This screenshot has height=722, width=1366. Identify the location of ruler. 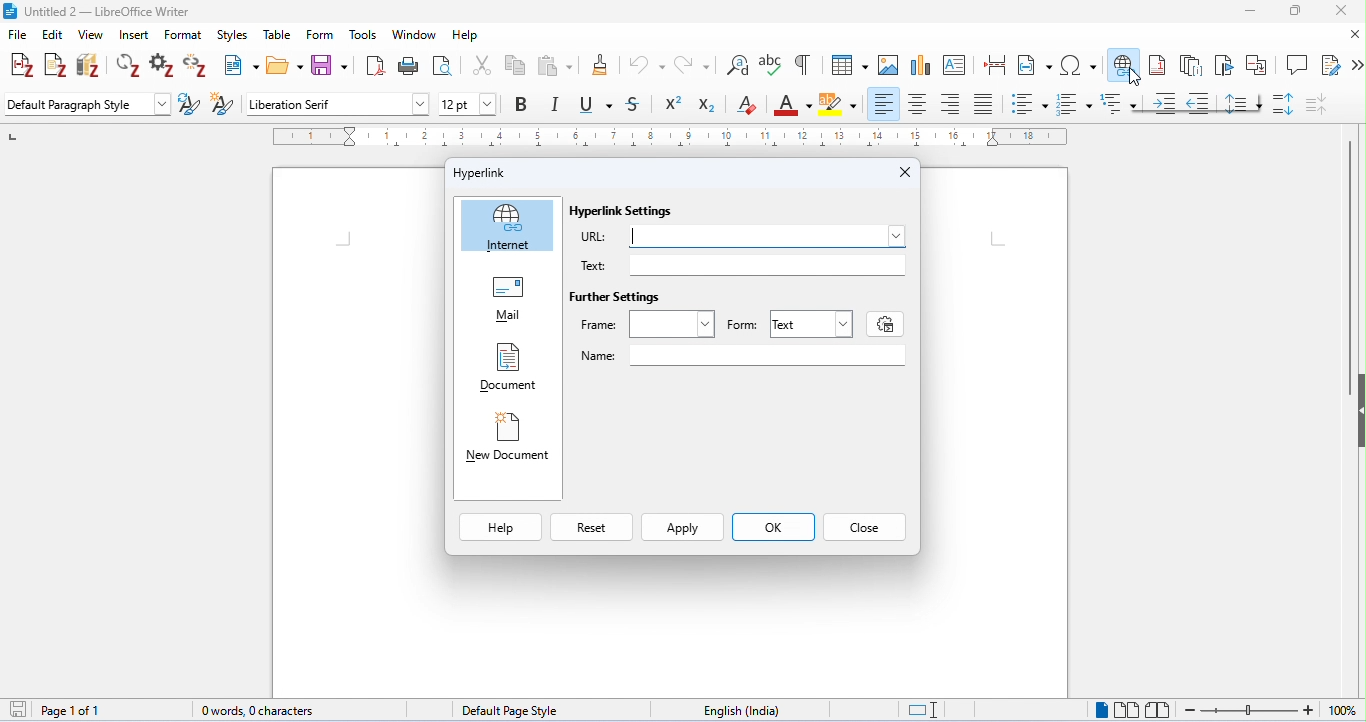
(670, 137).